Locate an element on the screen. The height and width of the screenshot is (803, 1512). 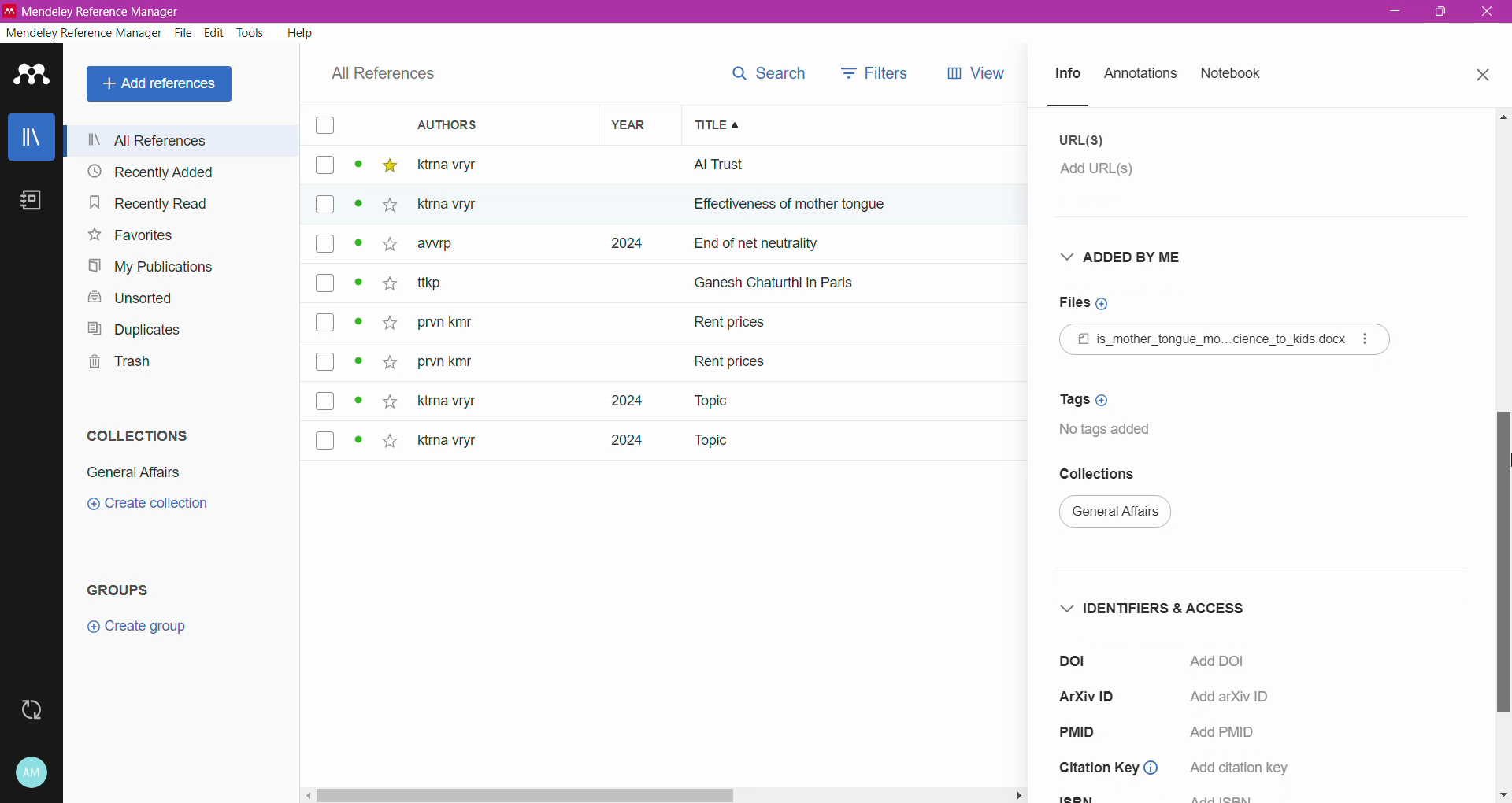
Account and Help is located at coordinates (32, 773).